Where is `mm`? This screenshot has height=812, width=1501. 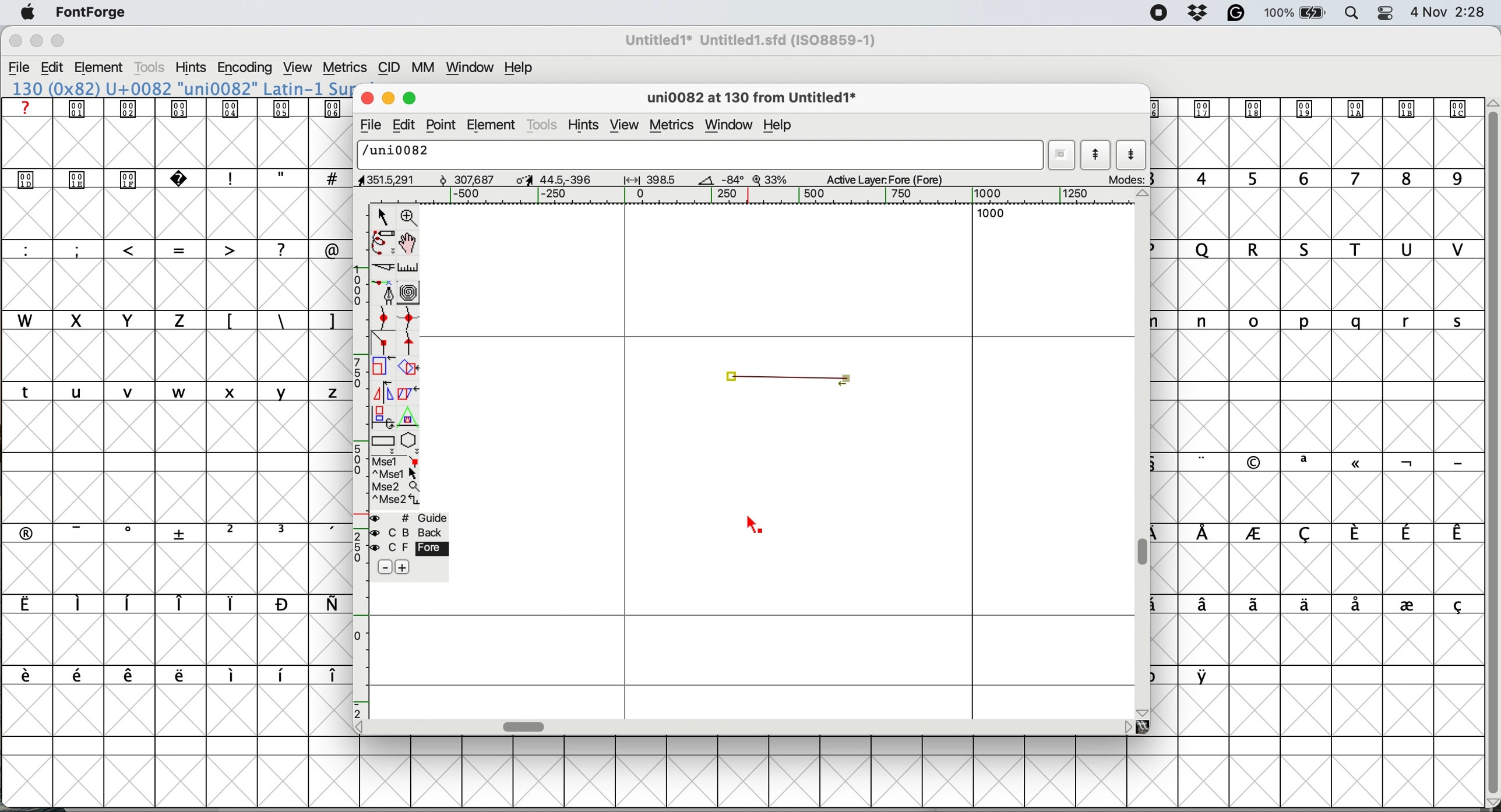 mm is located at coordinates (427, 68).